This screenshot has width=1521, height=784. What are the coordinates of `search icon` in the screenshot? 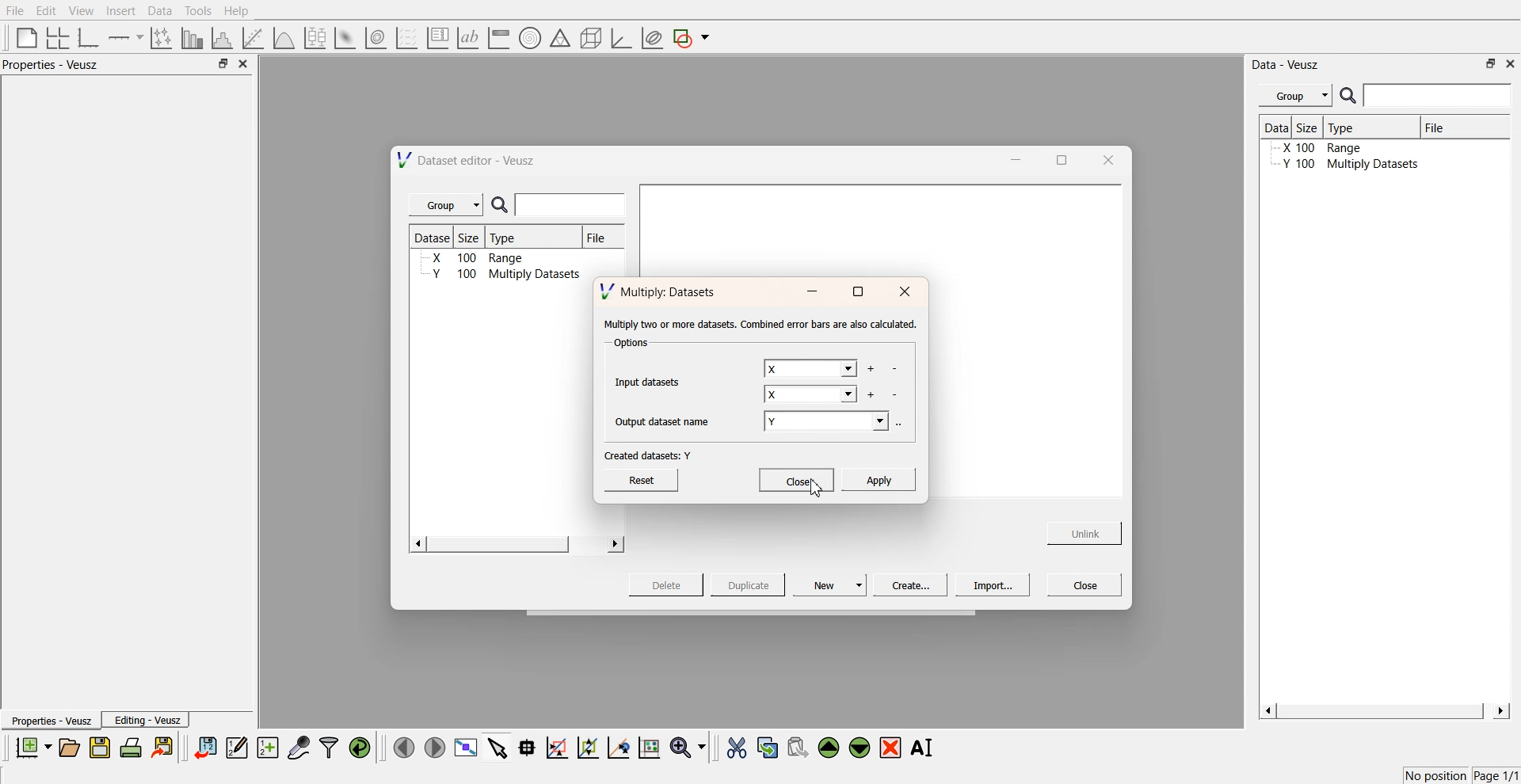 It's located at (1350, 95).